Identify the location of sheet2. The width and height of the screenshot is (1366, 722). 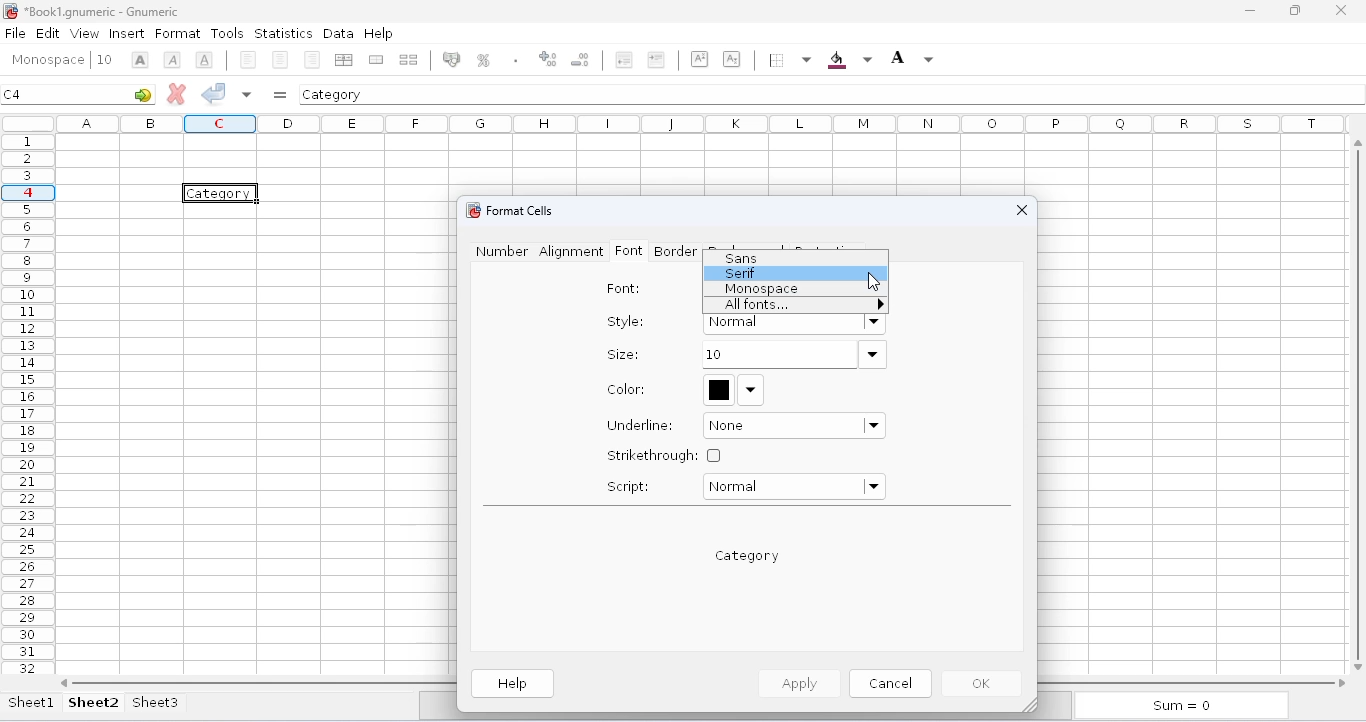
(94, 702).